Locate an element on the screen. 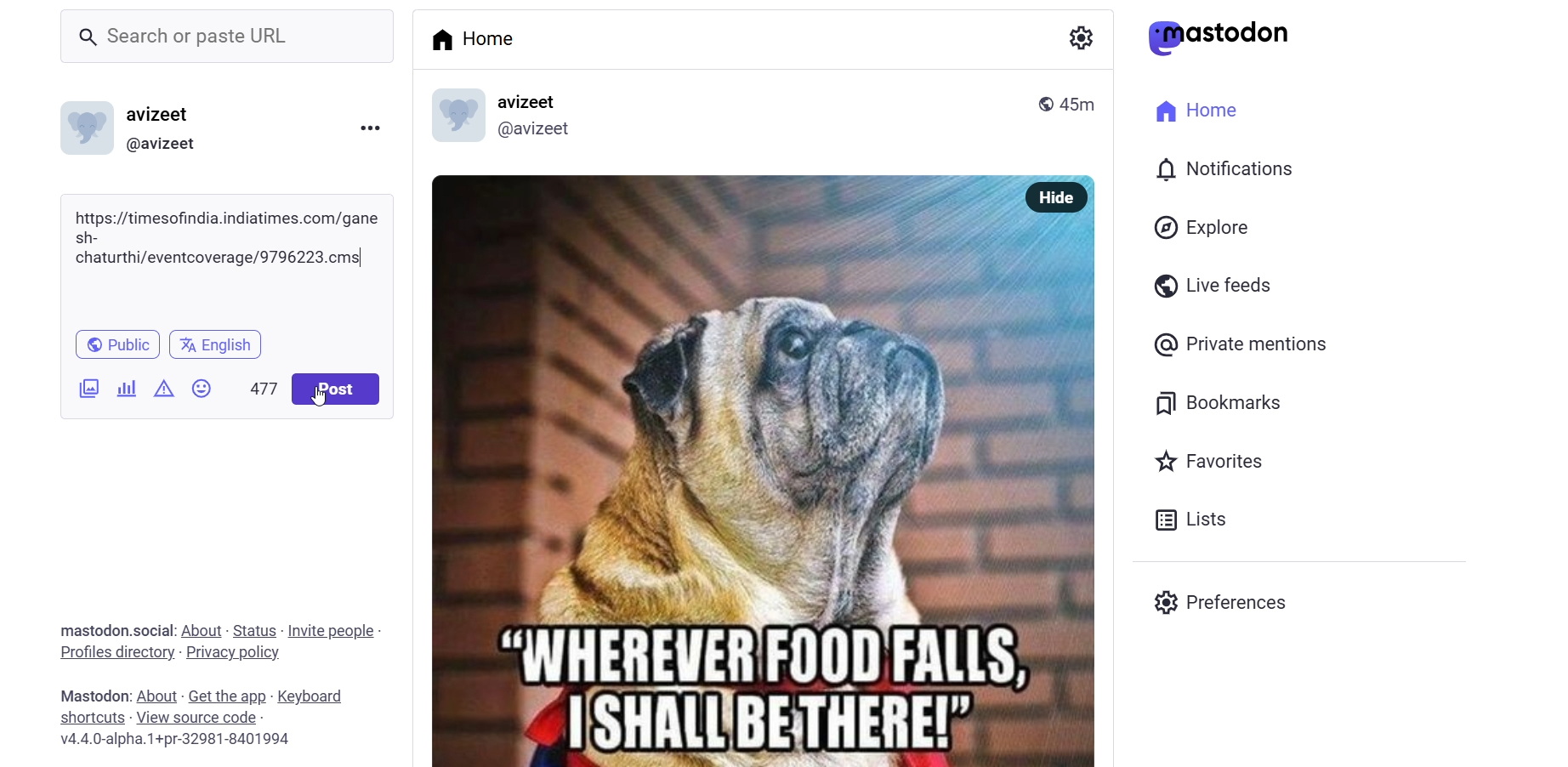   Bookmarks is located at coordinates (1218, 409).